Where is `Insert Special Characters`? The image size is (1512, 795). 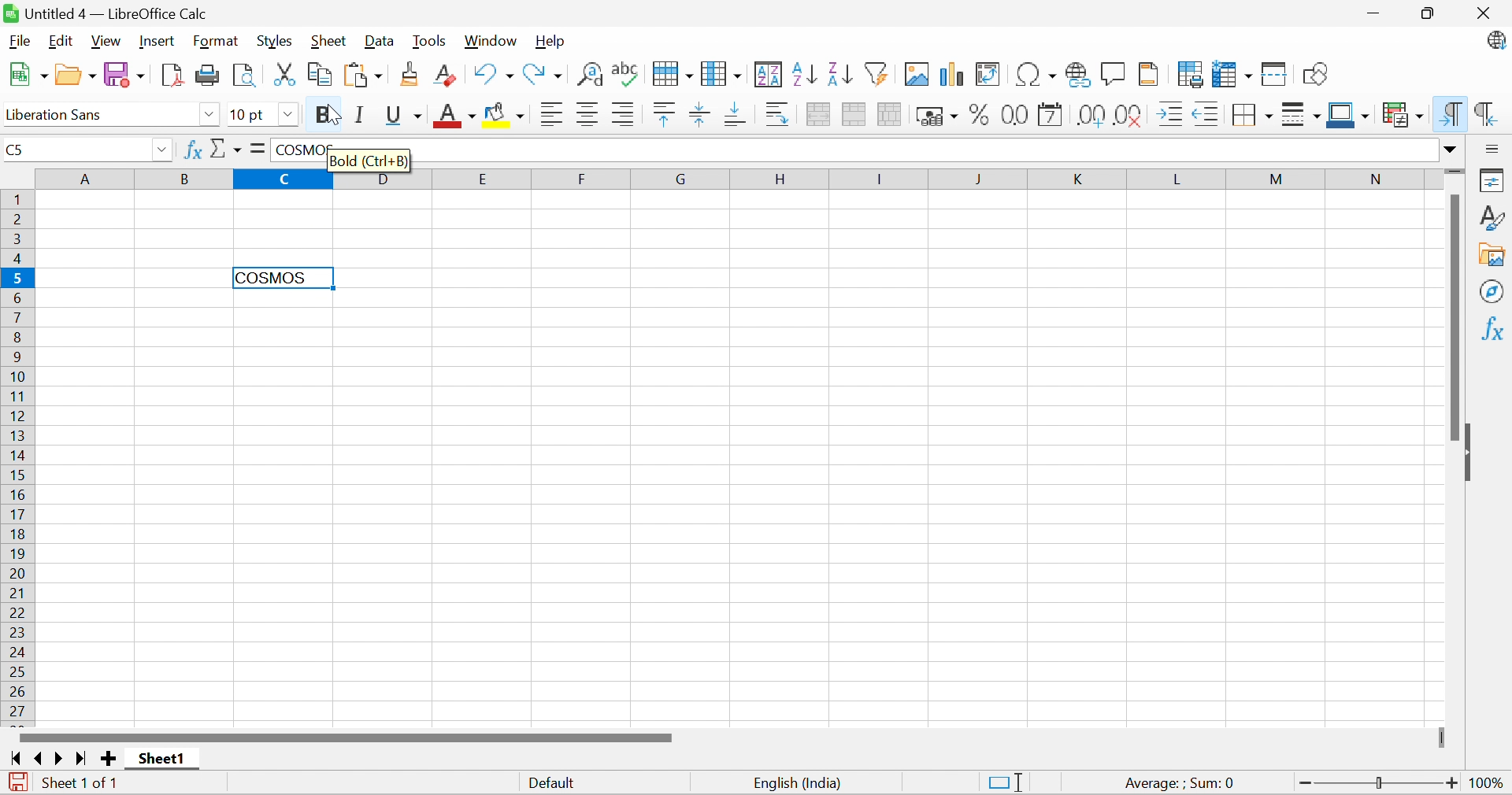 Insert Special Characters is located at coordinates (1038, 73).